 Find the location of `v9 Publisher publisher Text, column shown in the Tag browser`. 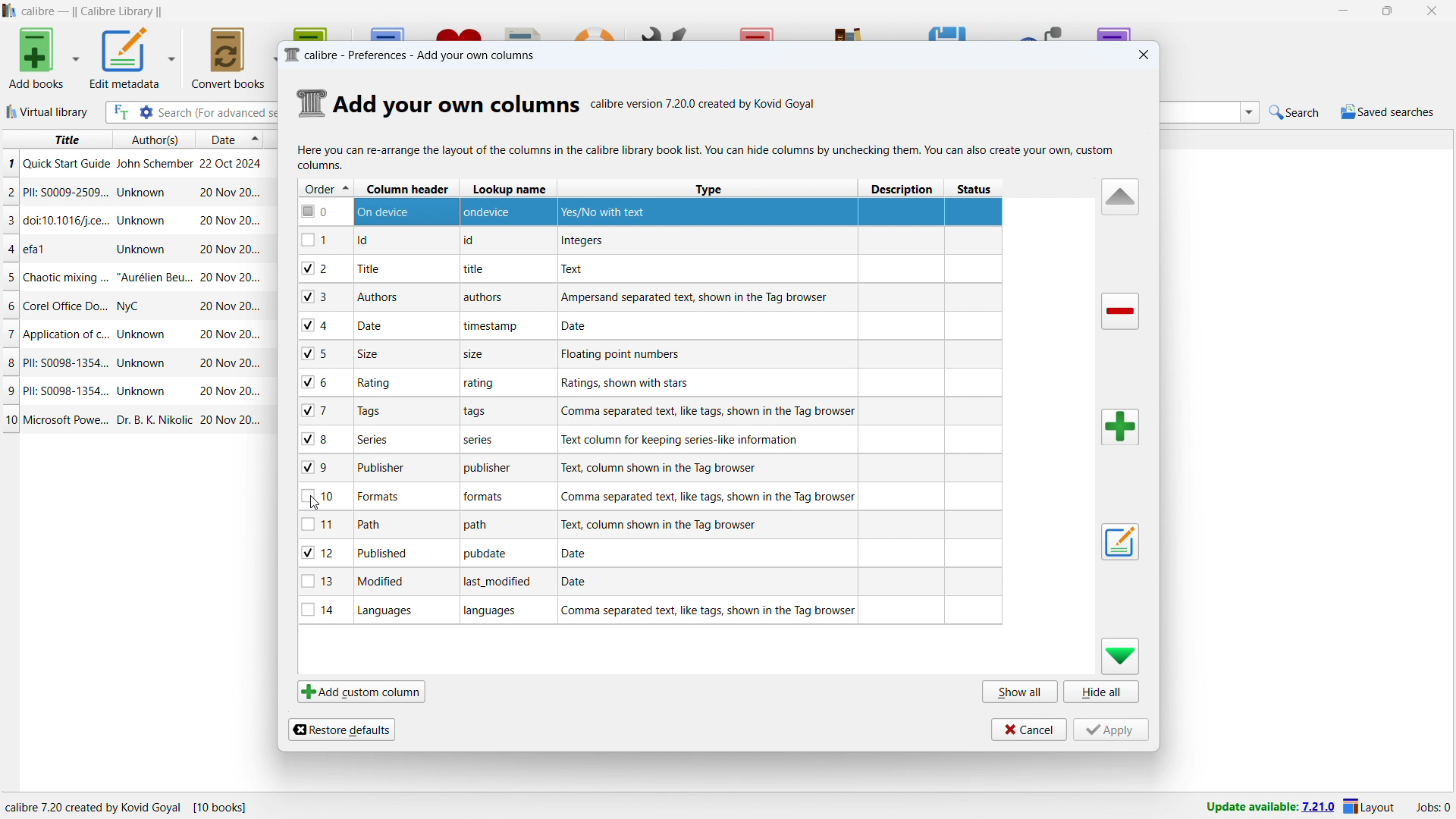

v9 Publisher publisher Text, column shown in the Tag browser is located at coordinates (646, 466).